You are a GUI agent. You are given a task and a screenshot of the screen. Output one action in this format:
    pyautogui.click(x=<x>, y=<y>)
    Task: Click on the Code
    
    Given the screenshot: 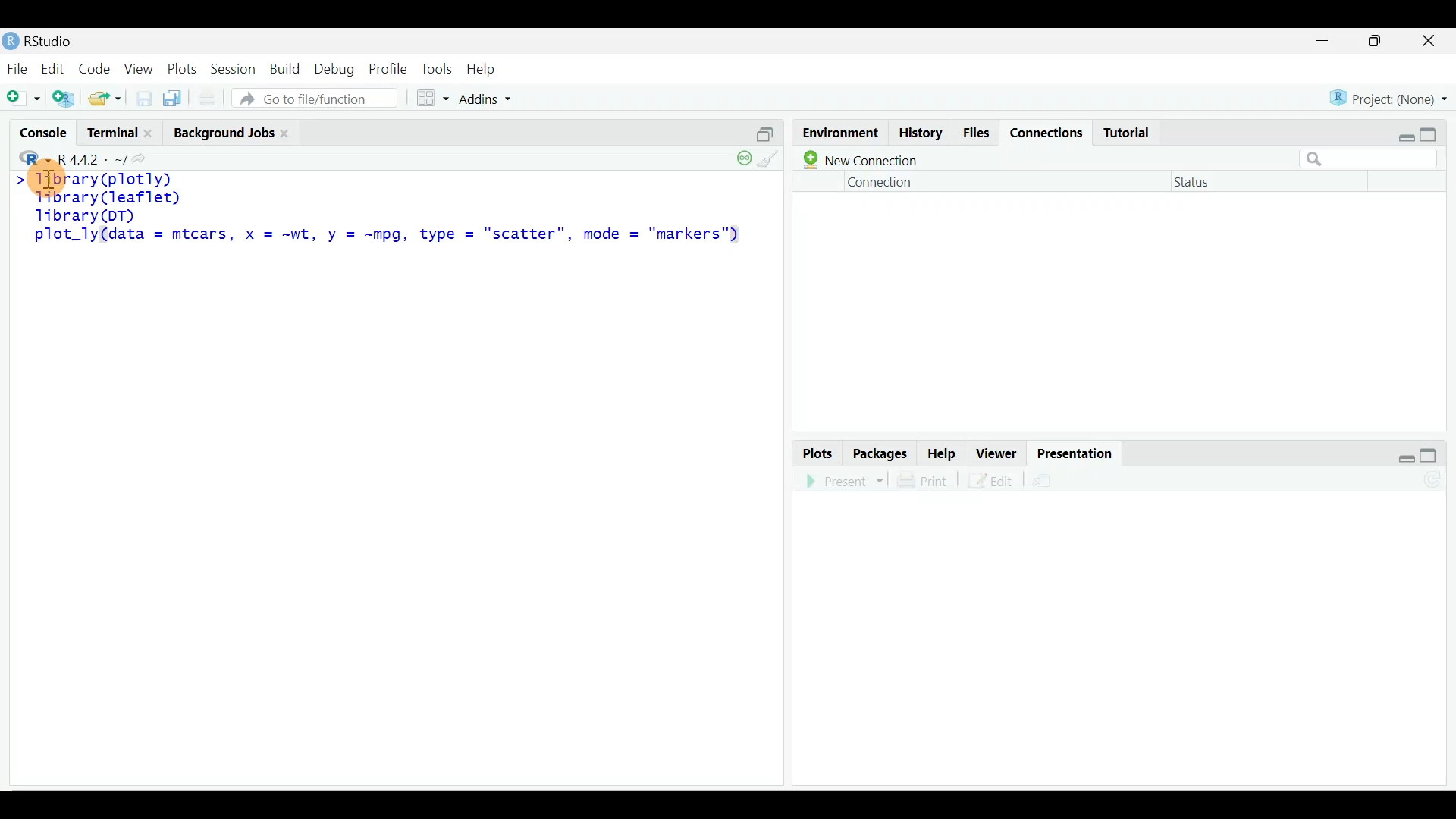 What is the action you would take?
    pyautogui.click(x=96, y=67)
    